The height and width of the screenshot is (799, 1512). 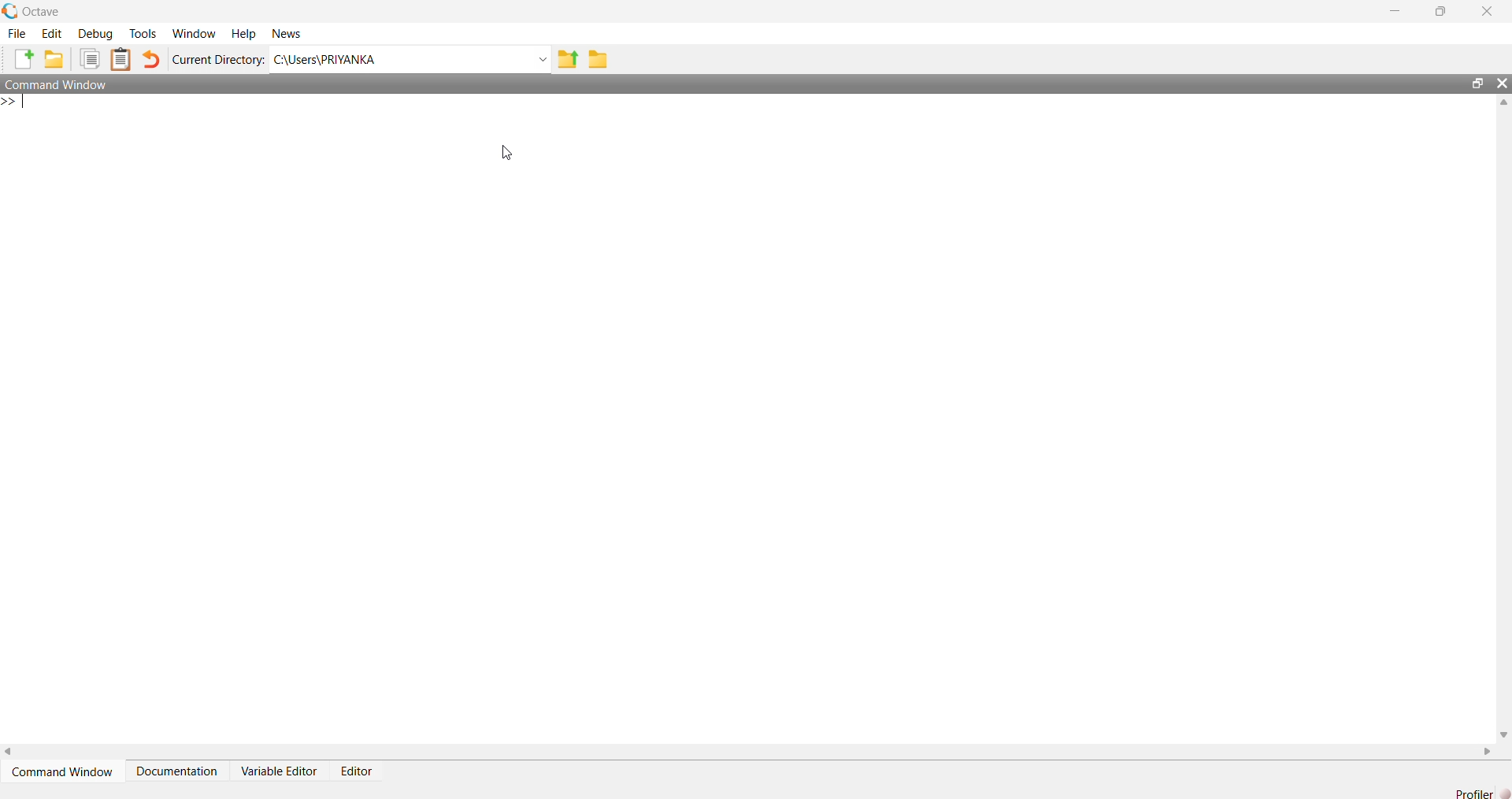 What do you see at coordinates (1488, 13) in the screenshot?
I see `Close` at bounding box center [1488, 13].